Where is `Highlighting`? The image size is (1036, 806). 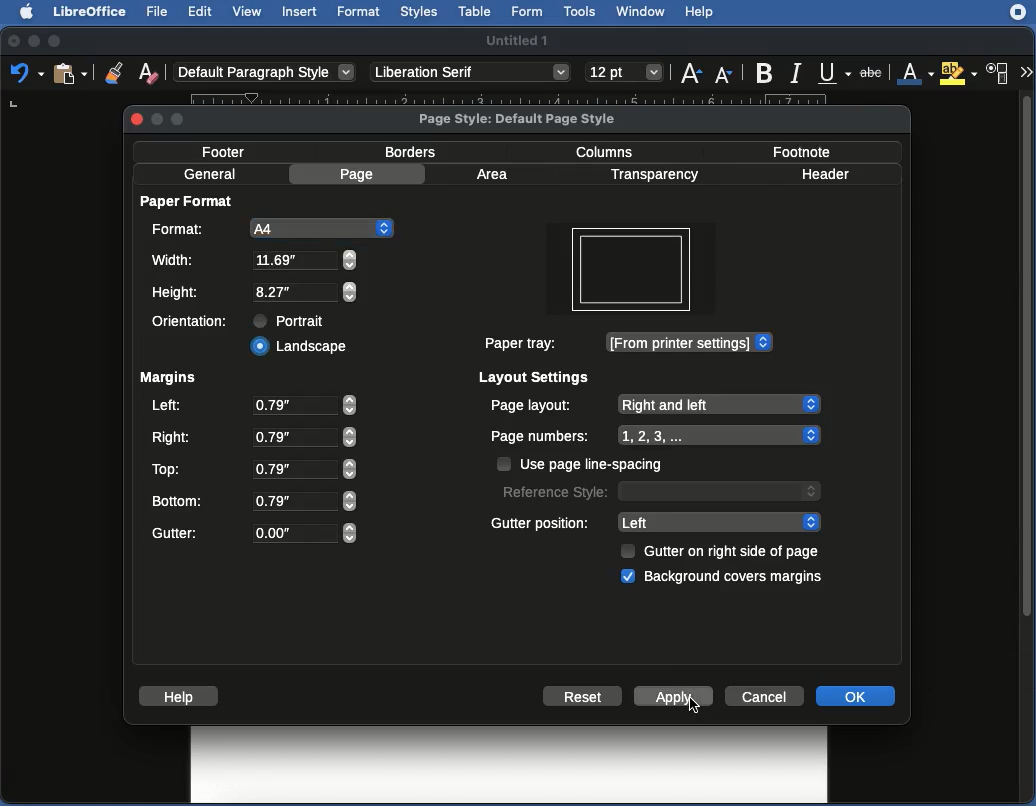 Highlighting is located at coordinates (957, 73).